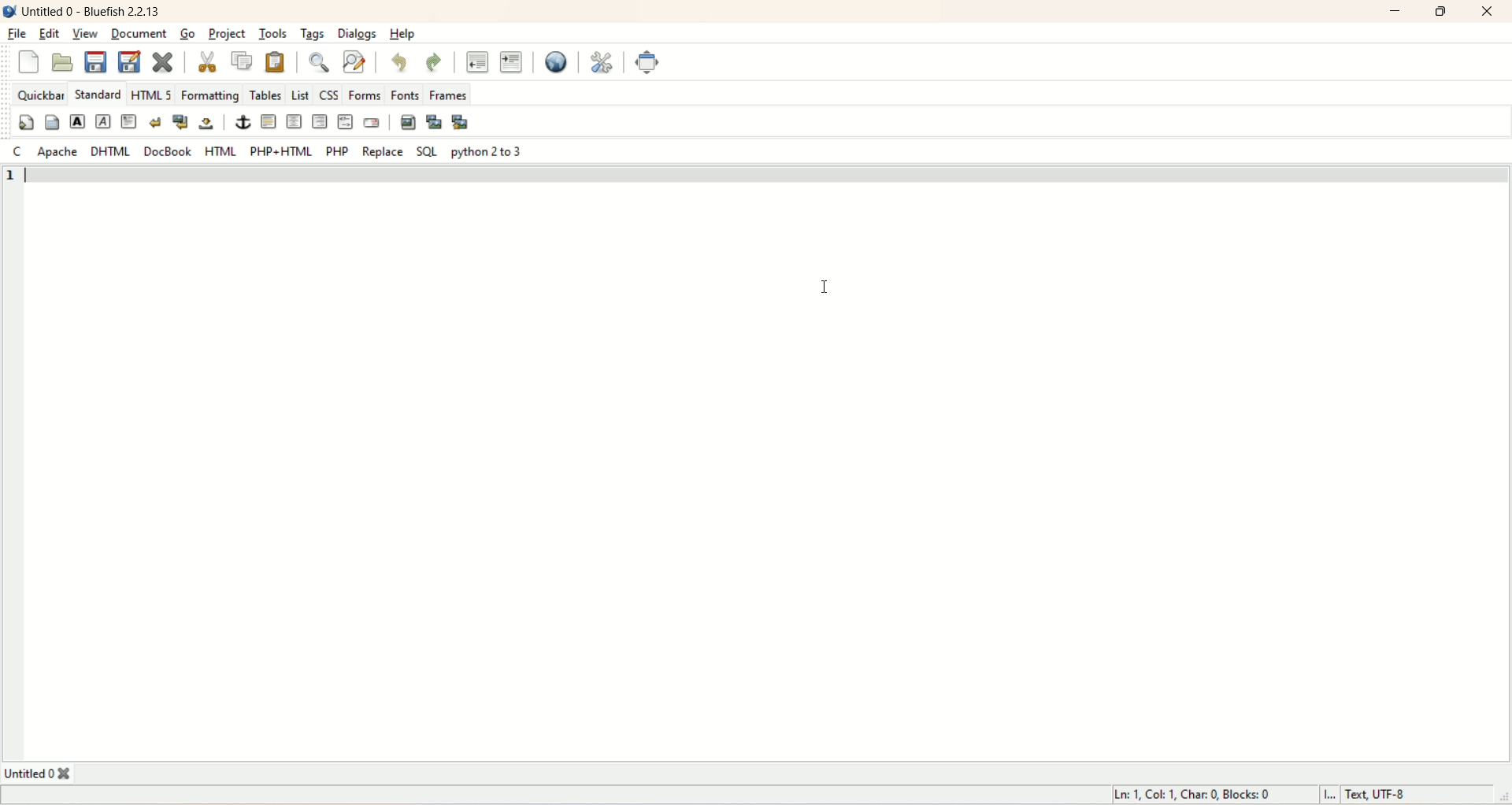 Image resolution: width=1512 pixels, height=805 pixels. What do you see at coordinates (105, 123) in the screenshot?
I see `emphasize` at bounding box center [105, 123].